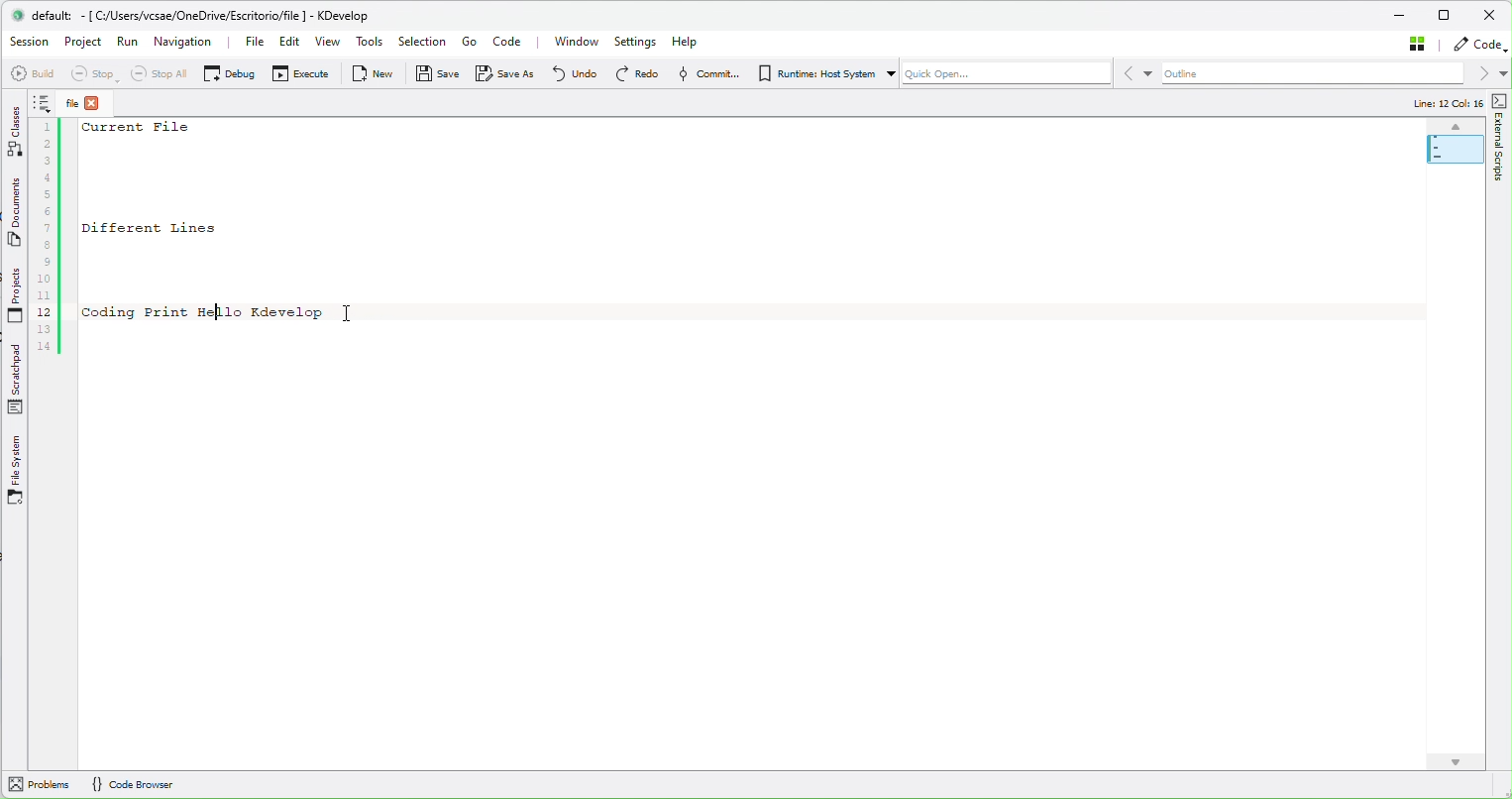 This screenshot has width=1512, height=799. Describe the element at coordinates (636, 43) in the screenshot. I see `Settings` at that location.